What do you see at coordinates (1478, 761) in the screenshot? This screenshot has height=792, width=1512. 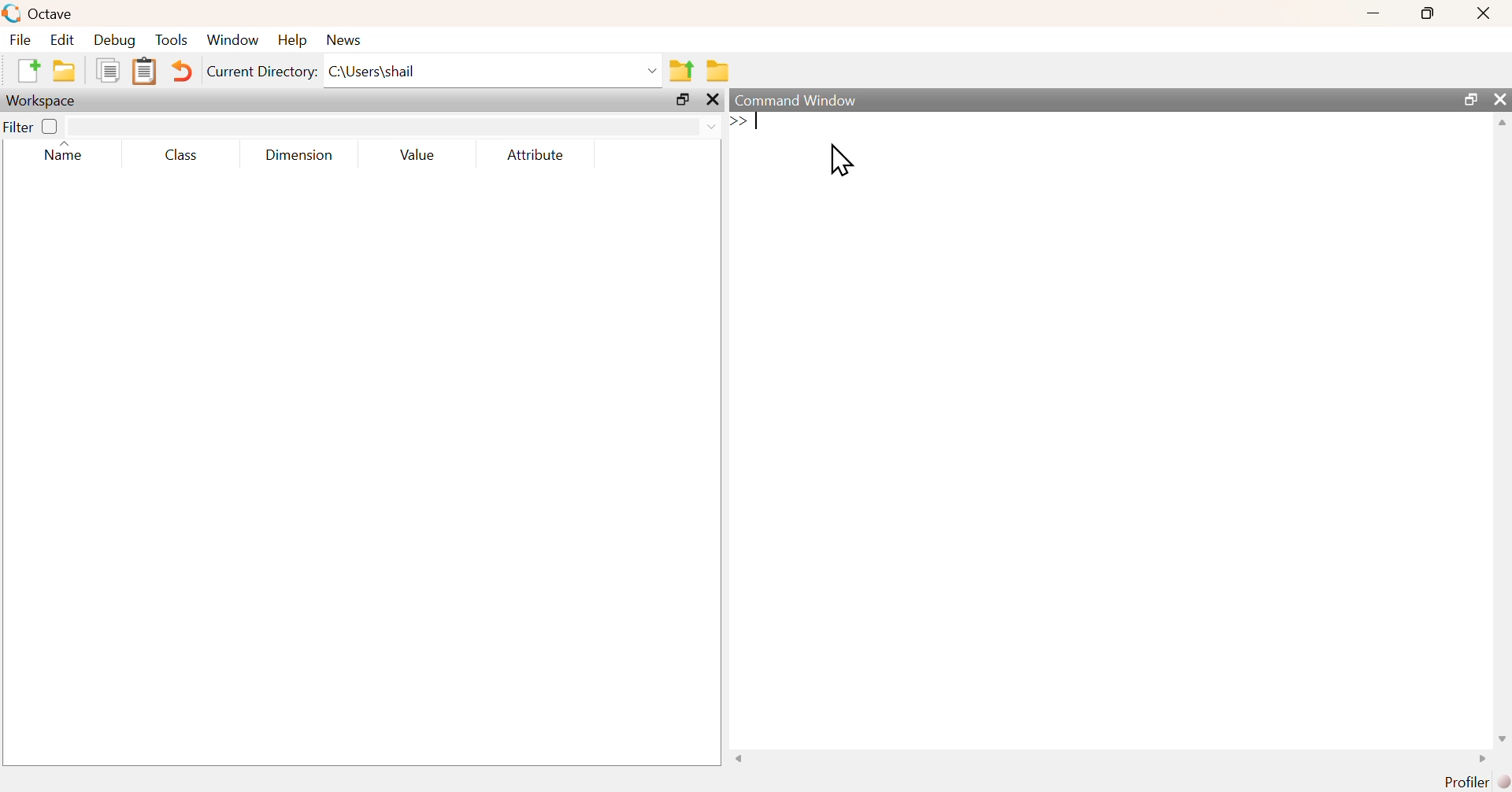 I see `Scroll right` at bounding box center [1478, 761].